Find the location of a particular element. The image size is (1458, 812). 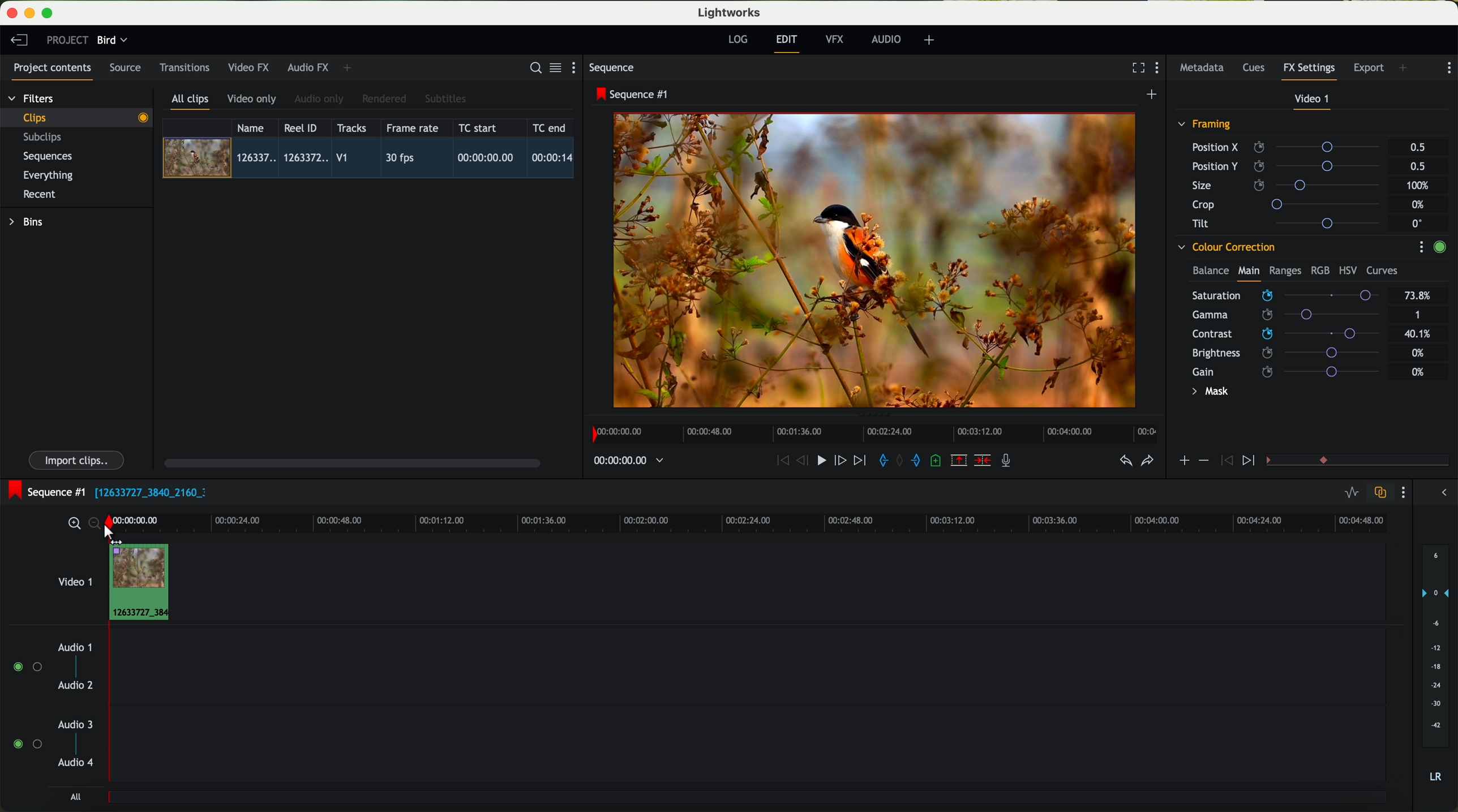

TC end is located at coordinates (550, 127).